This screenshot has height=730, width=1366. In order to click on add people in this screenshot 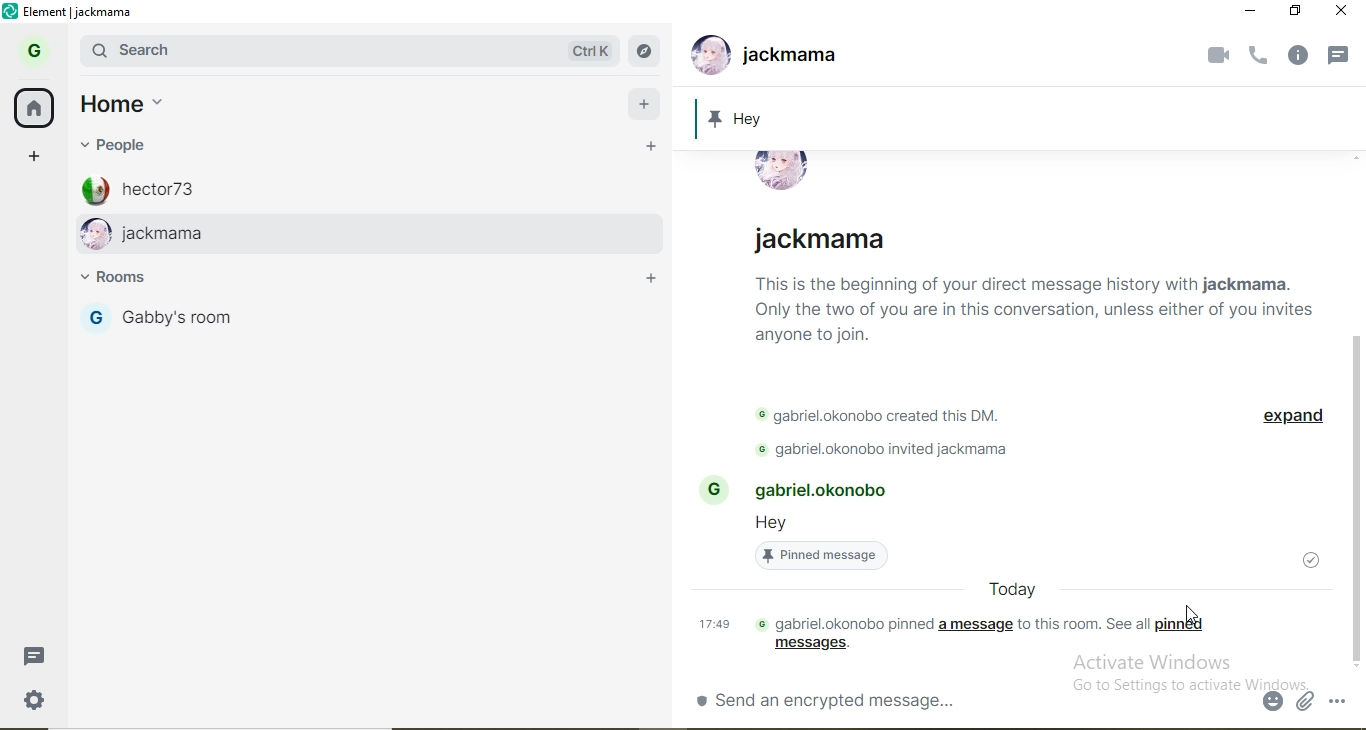, I will do `click(652, 148)`.